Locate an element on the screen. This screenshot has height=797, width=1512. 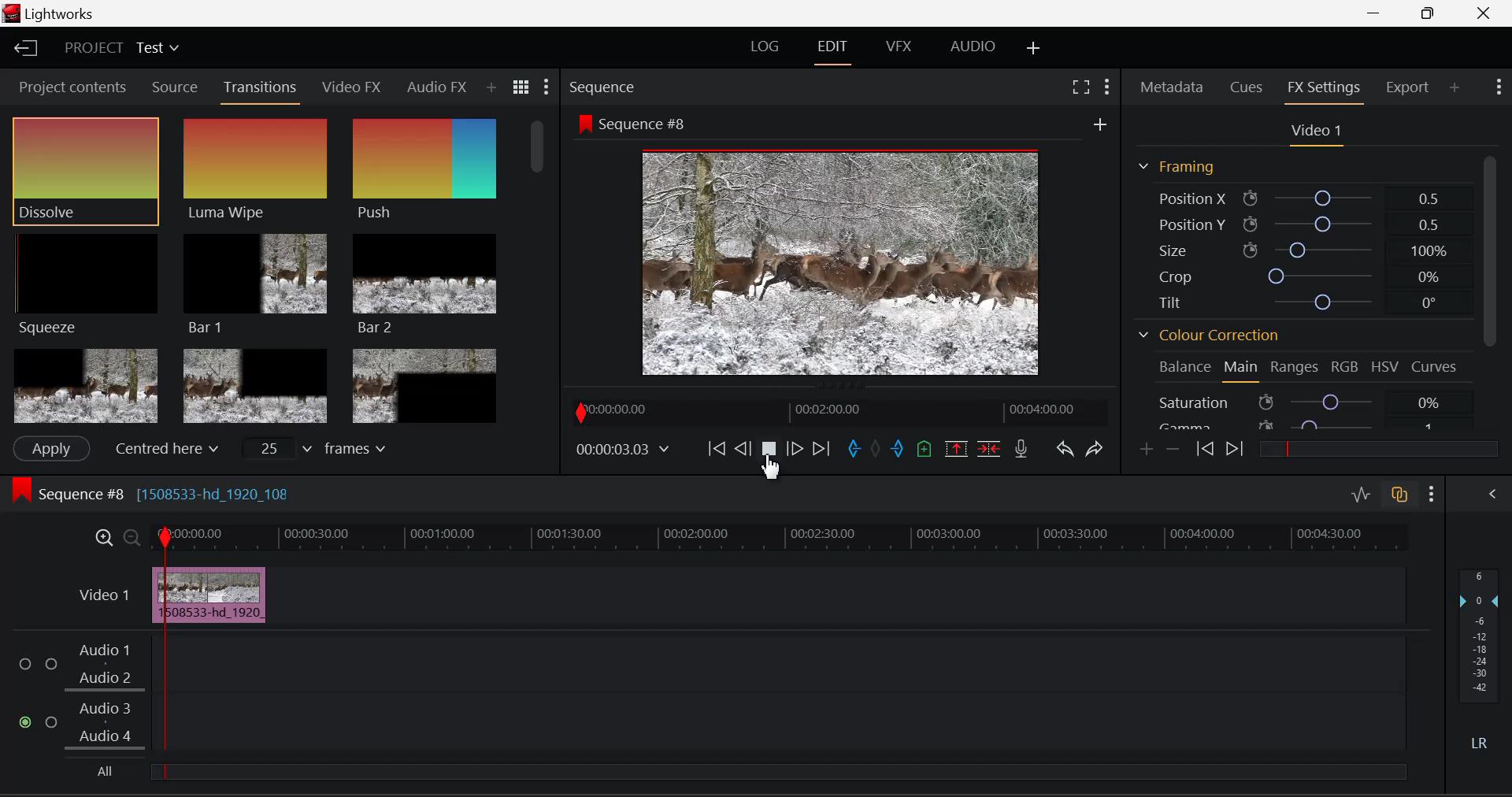
Show Settings is located at coordinates (1107, 87).